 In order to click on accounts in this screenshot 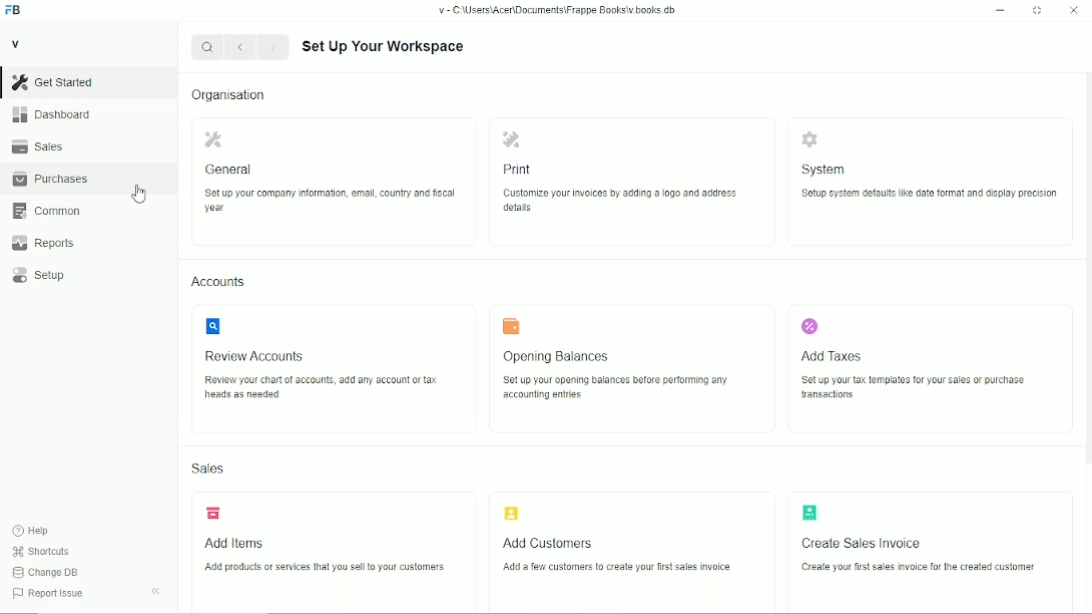, I will do `click(219, 282)`.